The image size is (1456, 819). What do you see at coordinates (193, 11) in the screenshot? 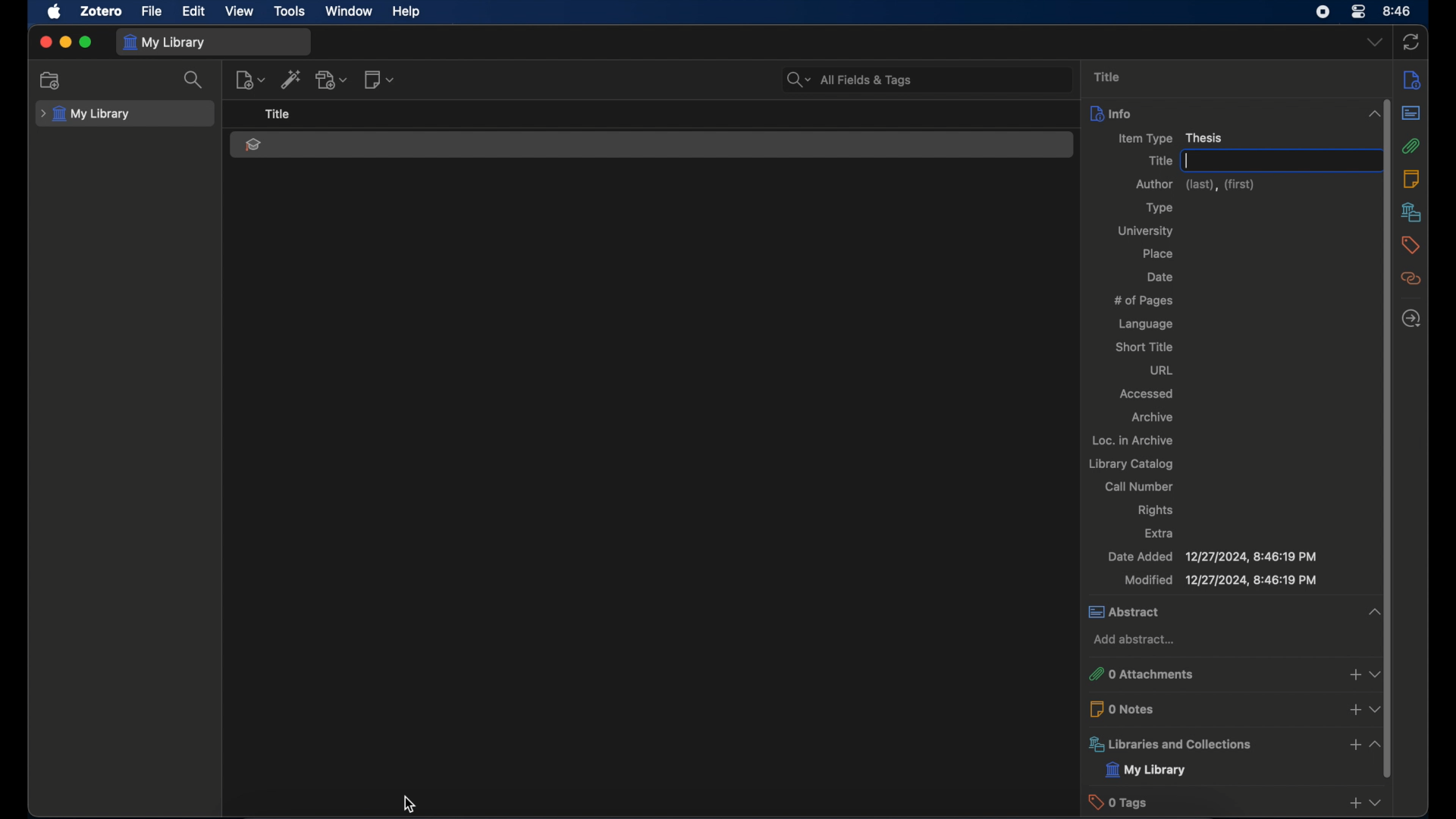
I see `edit` at bounding box center [193, 11].